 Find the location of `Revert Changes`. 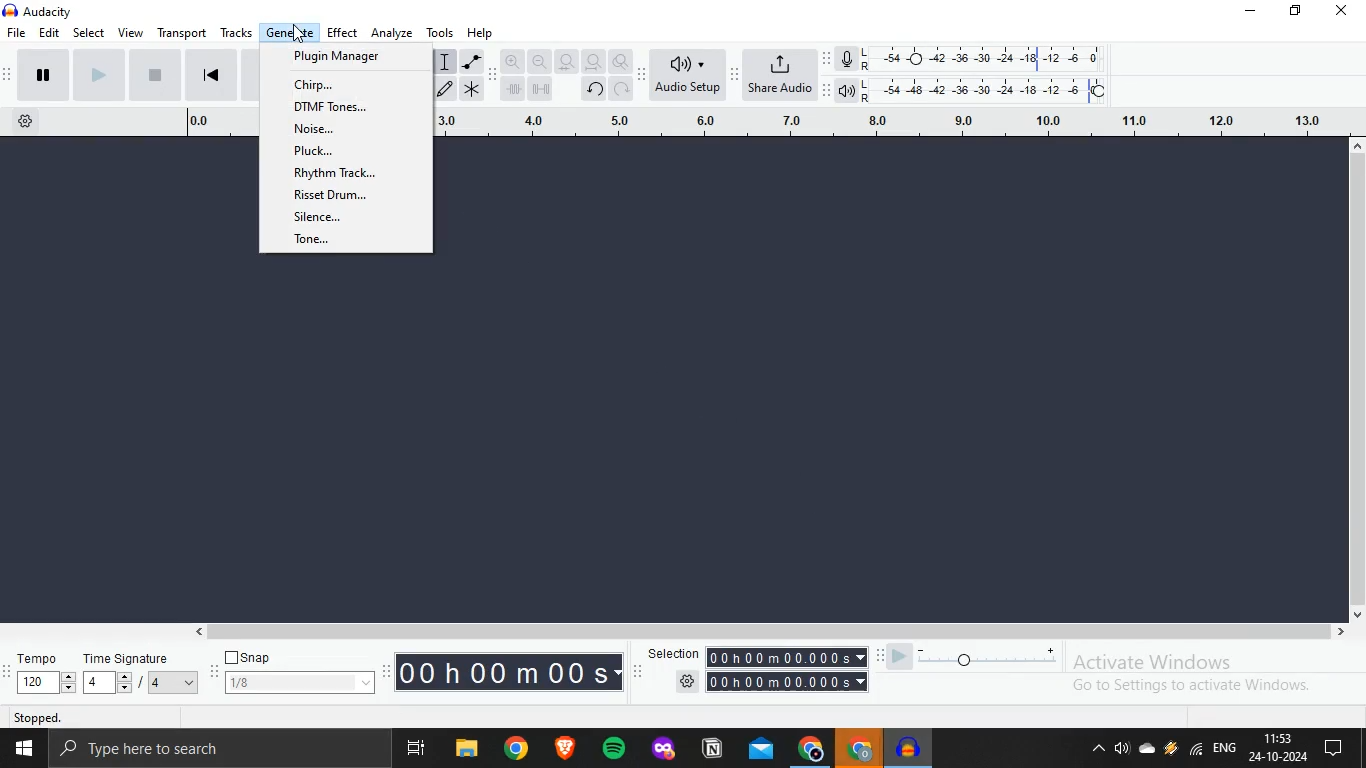

Revert Changes is located at coordinates (593, 89).